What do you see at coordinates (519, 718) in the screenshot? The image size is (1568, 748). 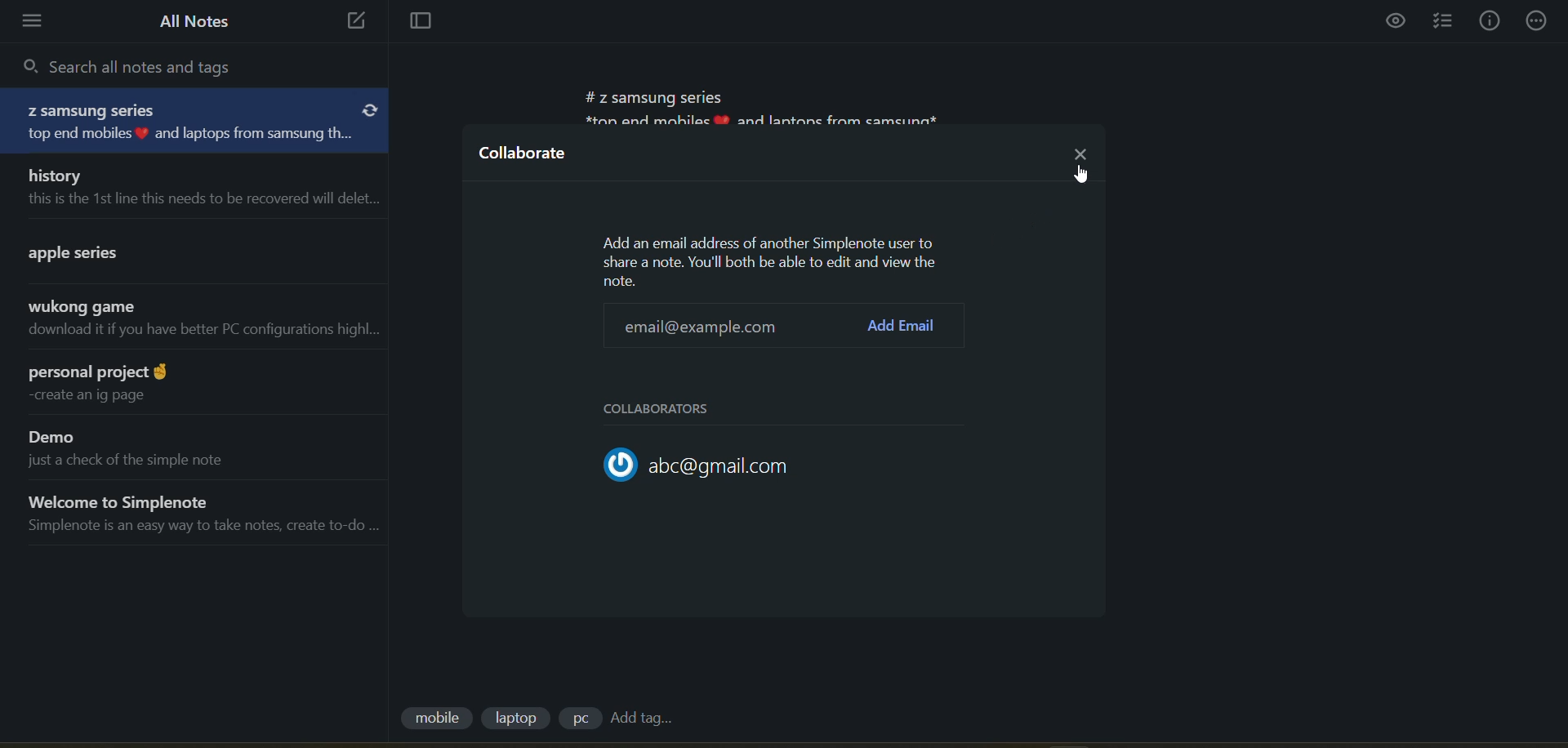 I see `tag 2` at bounding box center [519, 718].